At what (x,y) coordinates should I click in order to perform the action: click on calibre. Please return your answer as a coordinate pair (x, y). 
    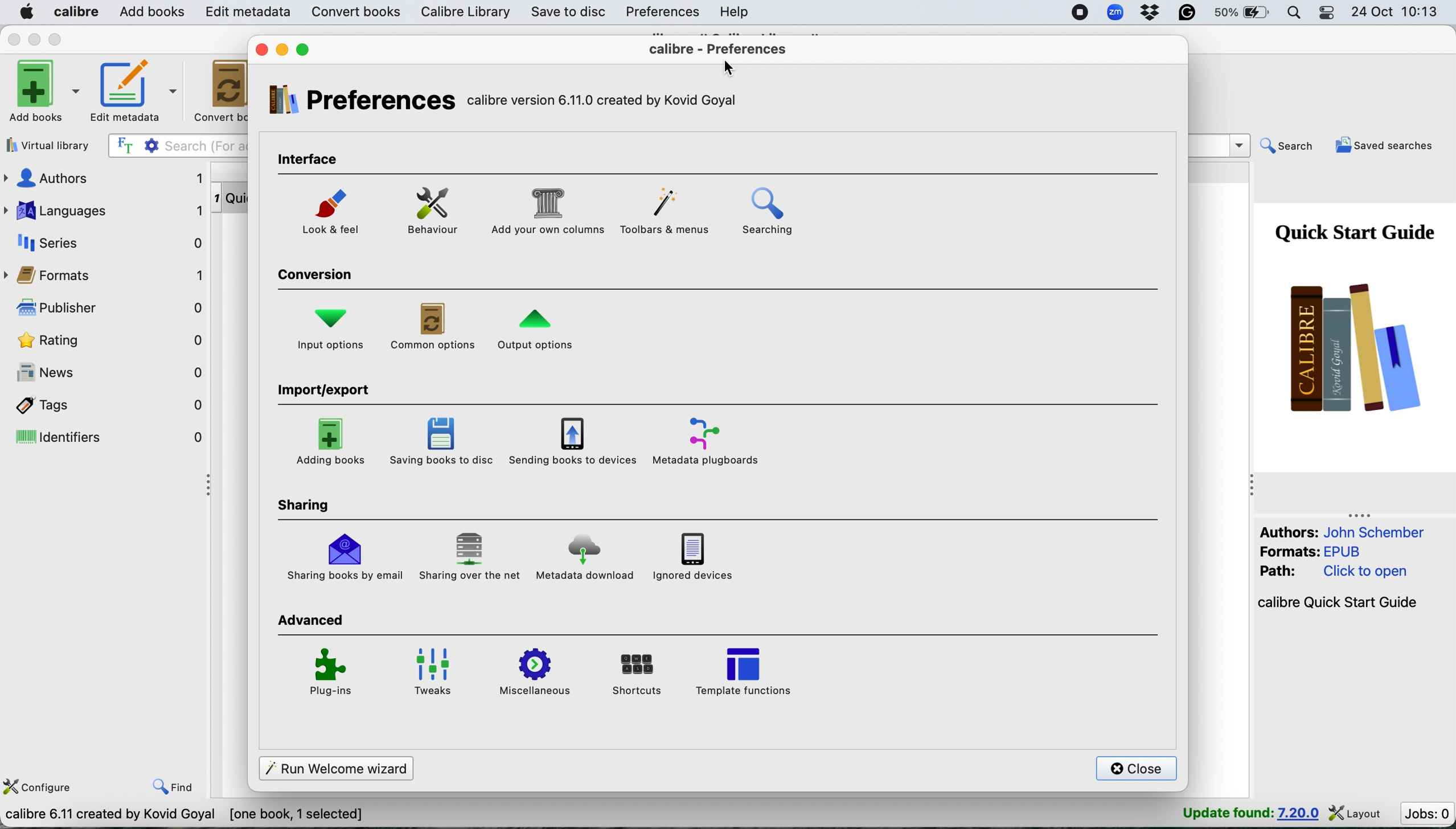
    Looking at the image, I should click on (76, 11).